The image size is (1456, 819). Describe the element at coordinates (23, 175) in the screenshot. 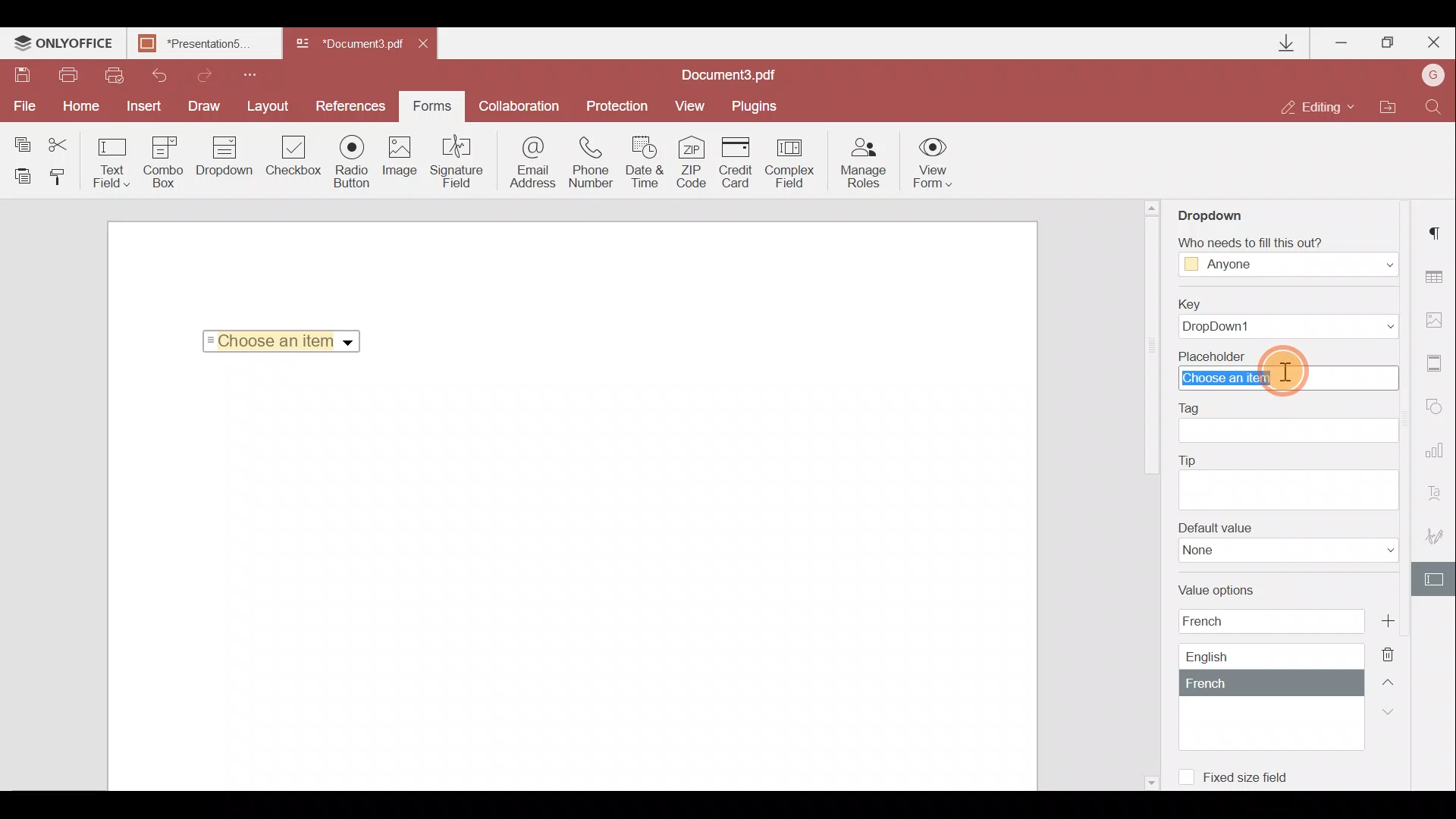

I see `Paste` at that location.